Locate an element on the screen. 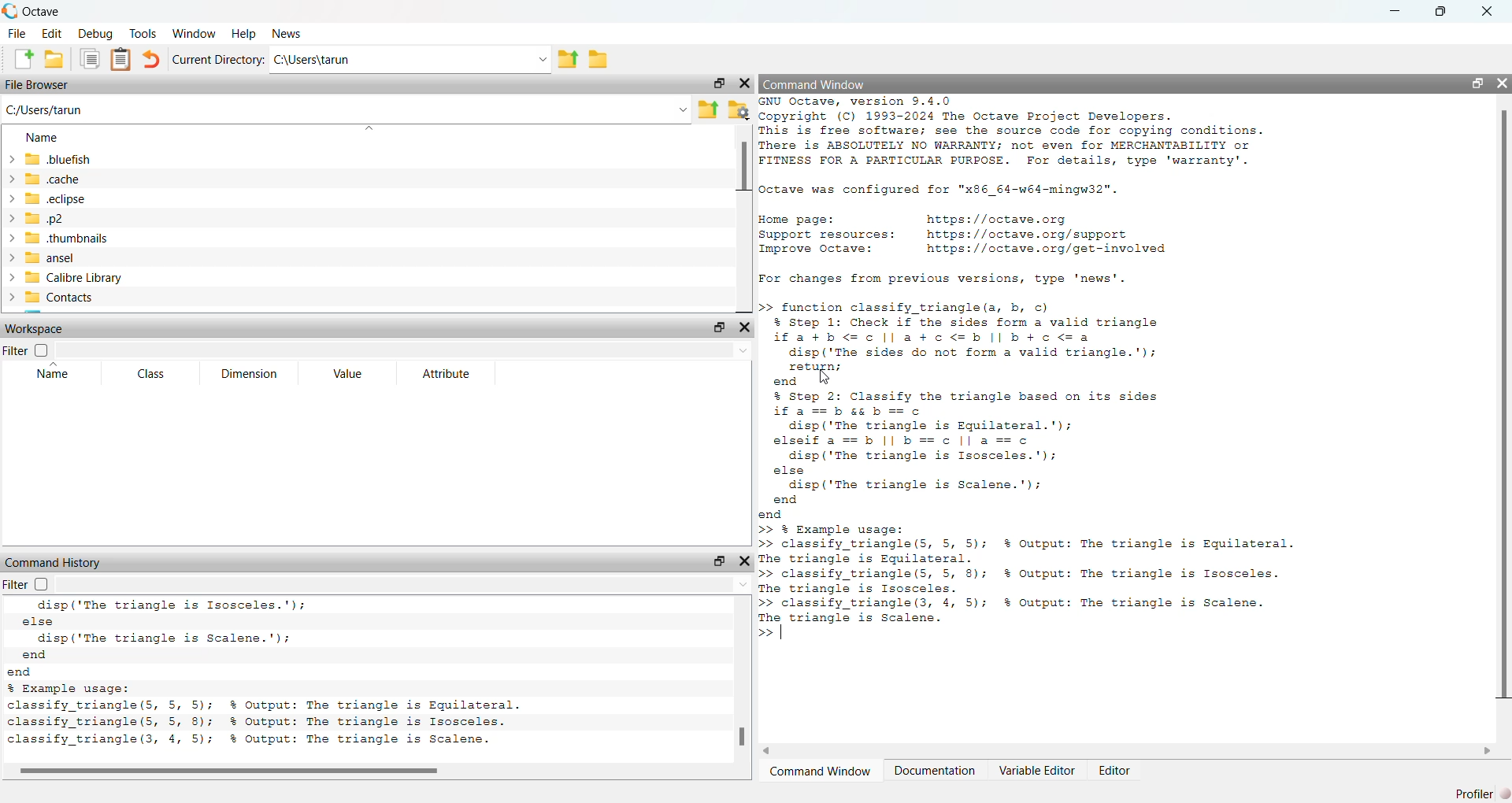 The width and height of the screenshot is (1512, 803). .bluefish is located at coordinates (48, 160).